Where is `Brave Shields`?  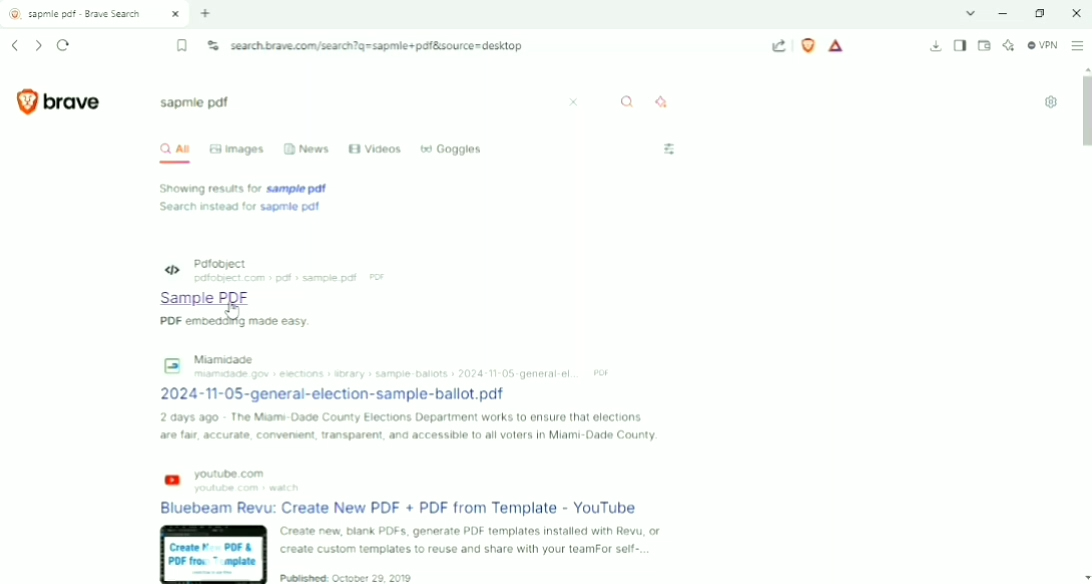 Brave Shields is located at coordinates (808, 45).